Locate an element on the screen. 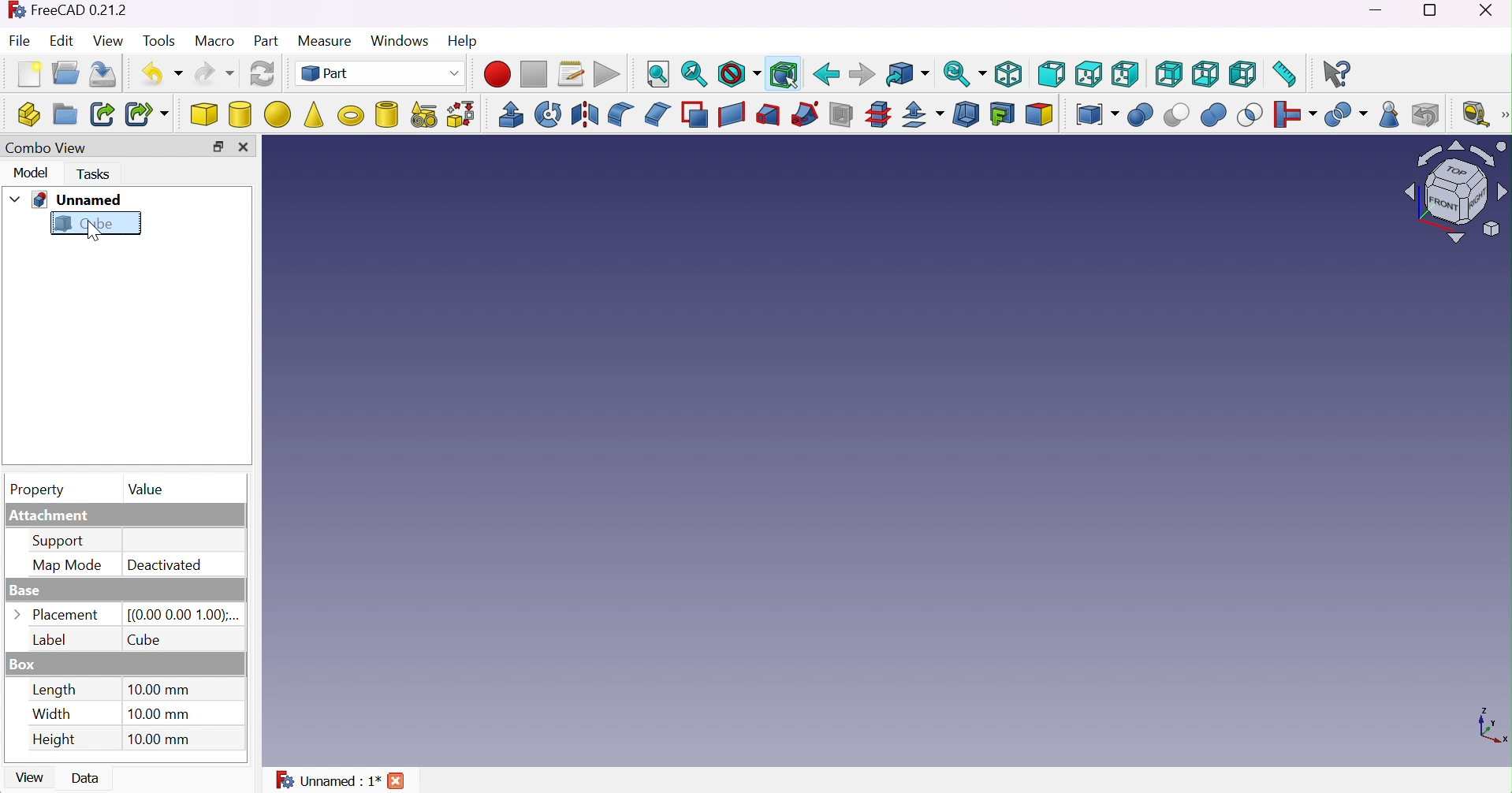  Deactivated is located at coordinates (164, 566).